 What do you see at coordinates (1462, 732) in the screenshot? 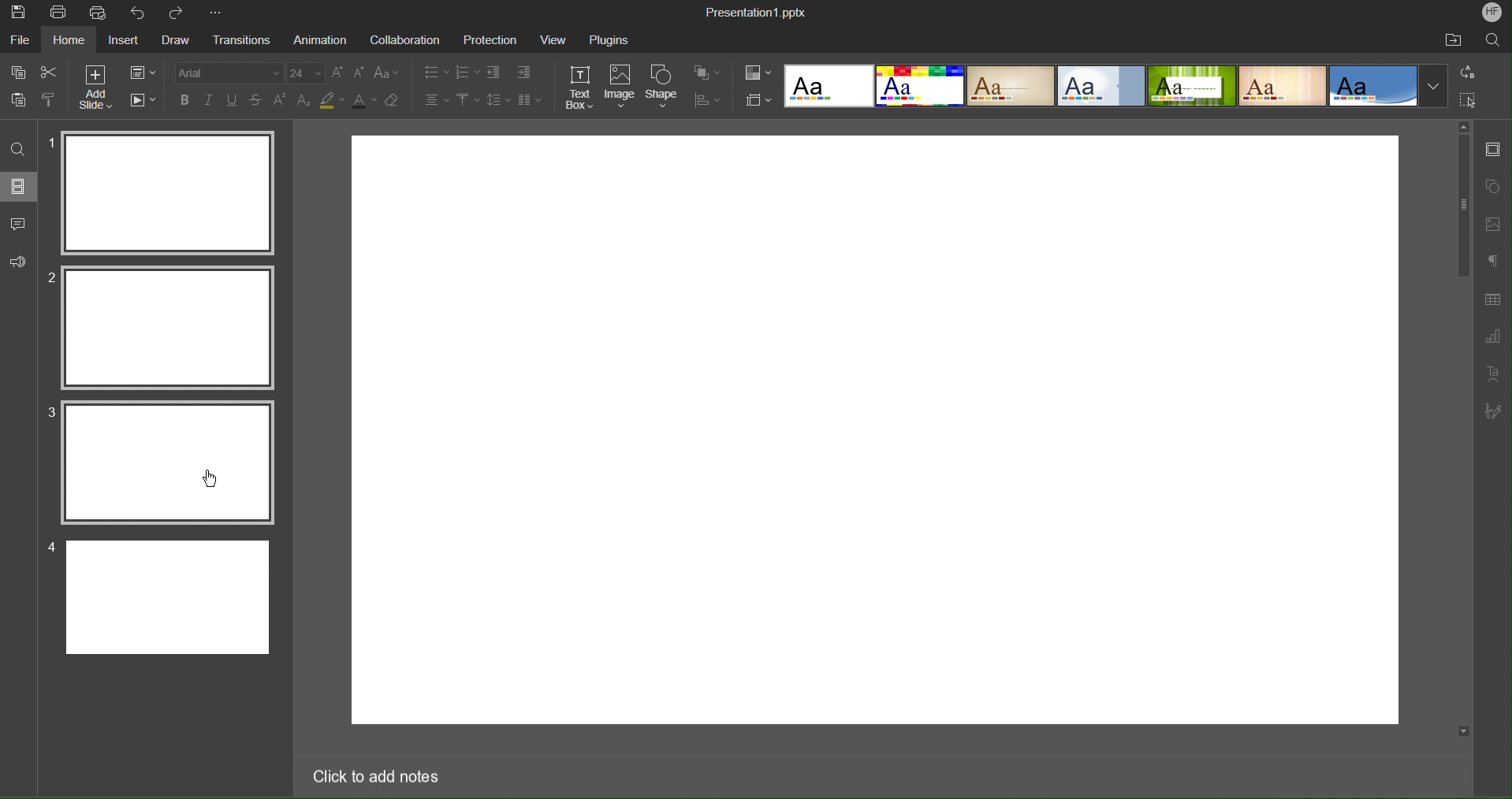
I see `scroll down` at bounding box center [1462, 732].